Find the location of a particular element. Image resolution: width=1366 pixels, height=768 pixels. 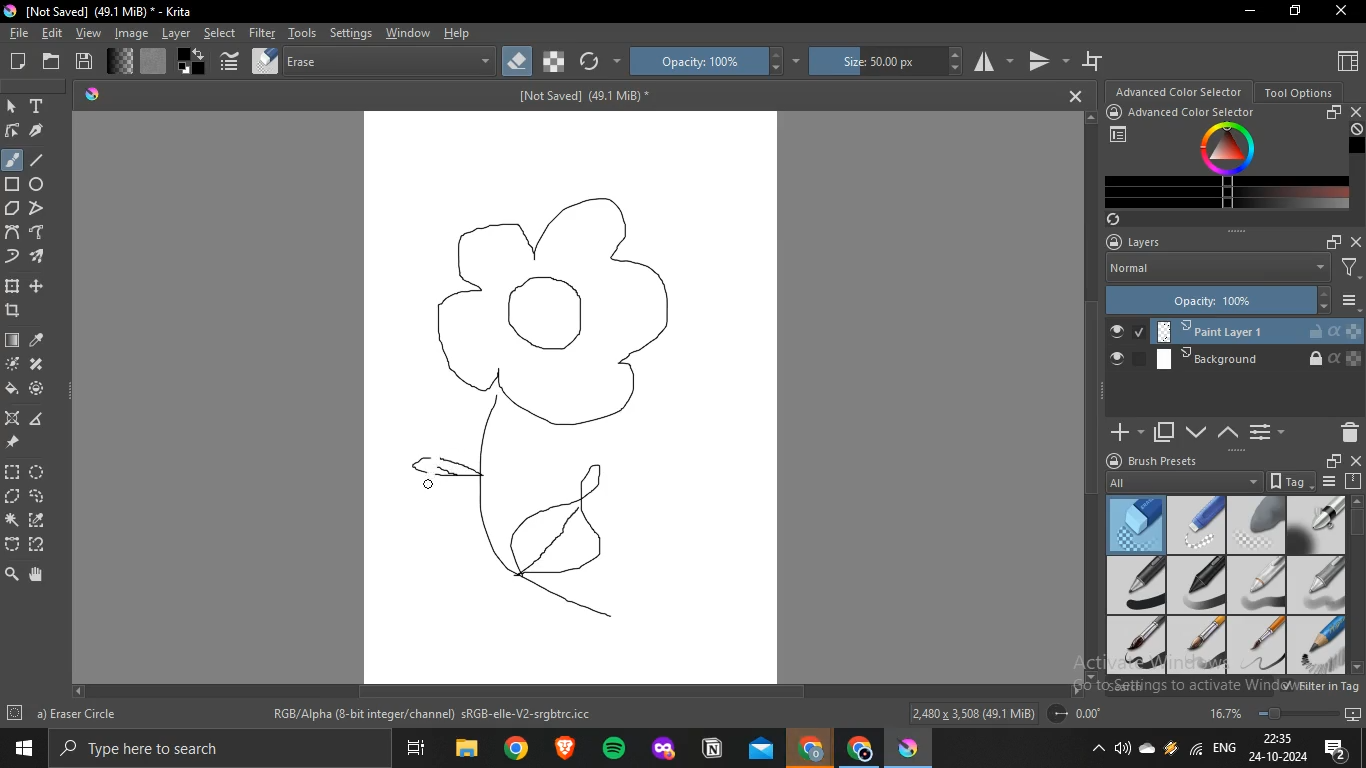

ENG is located at coordinates (1223, 746).